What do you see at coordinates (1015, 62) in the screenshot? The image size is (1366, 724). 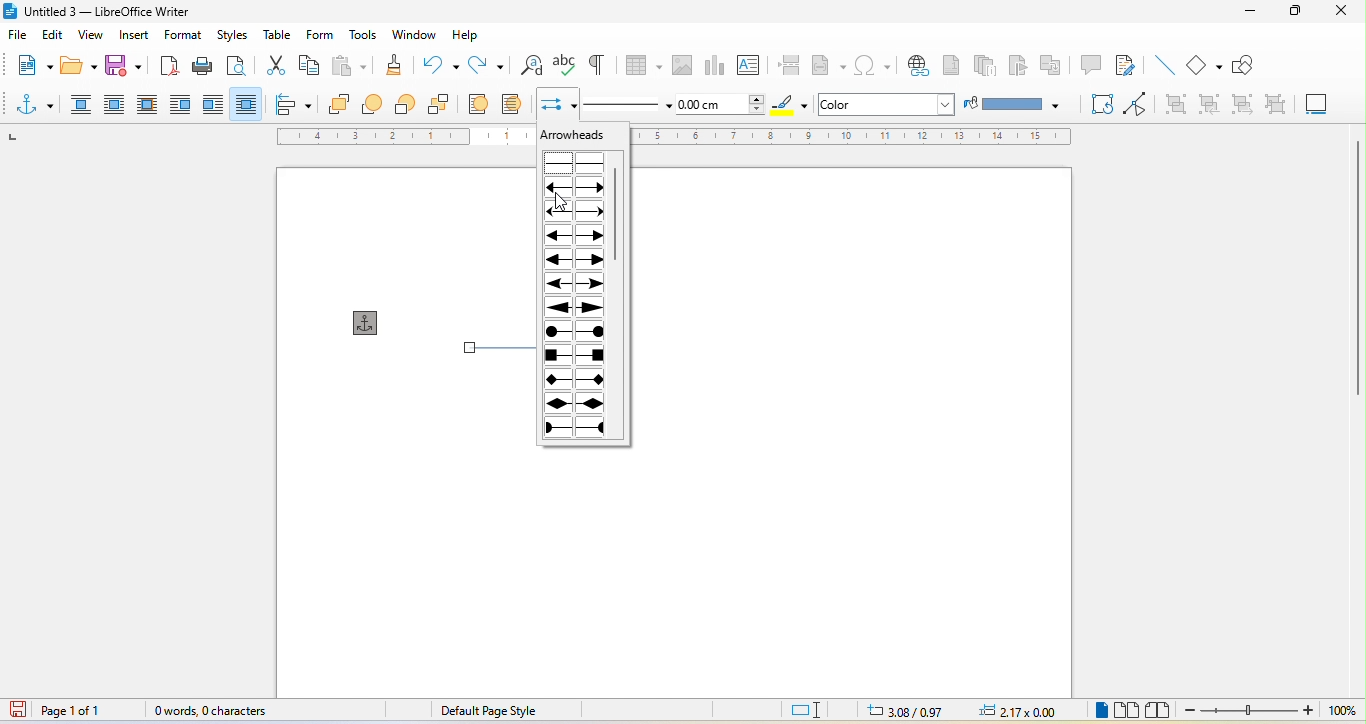 I see `bookmark` at bounding box center [1015, 62].